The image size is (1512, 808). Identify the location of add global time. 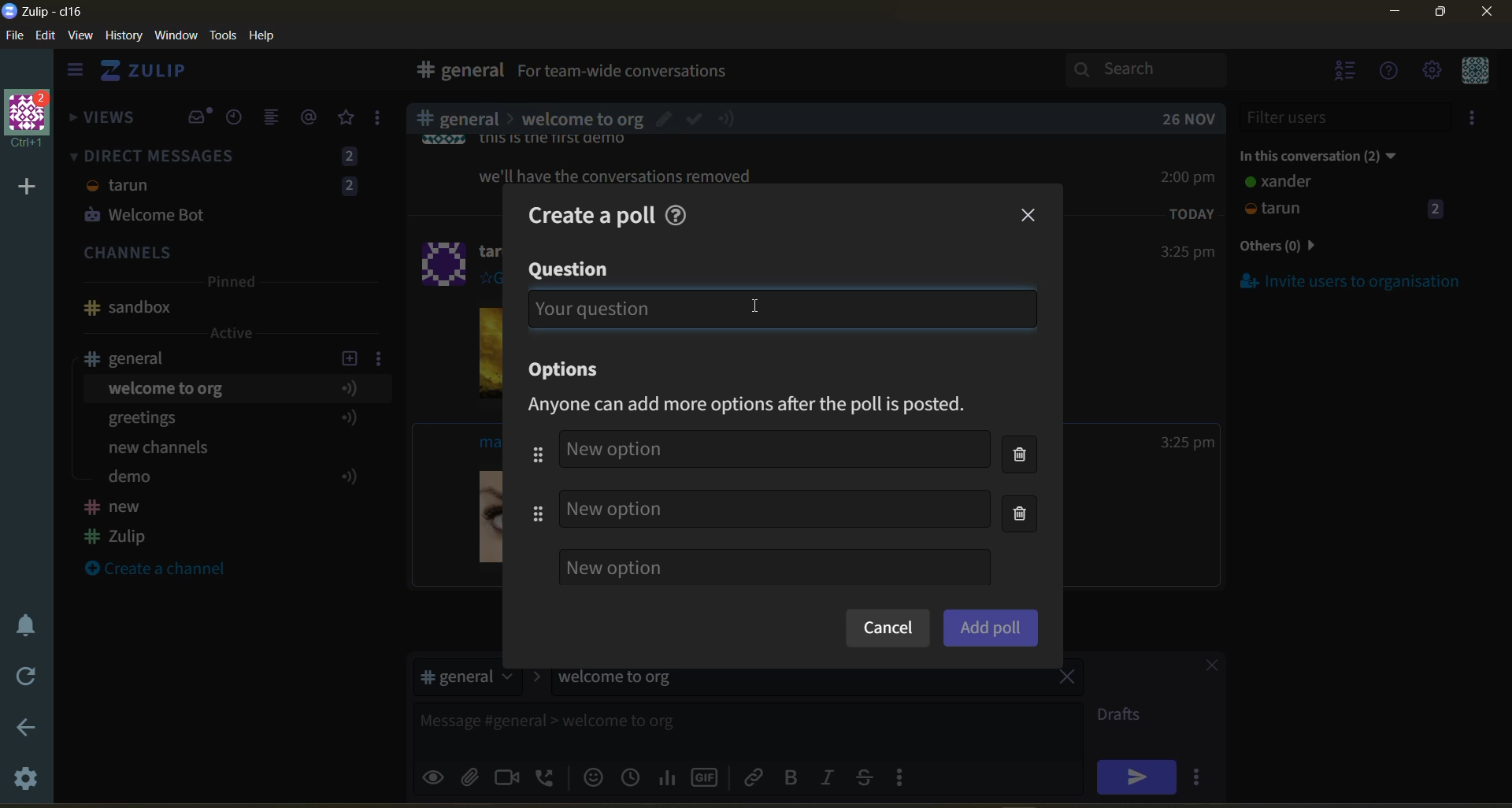
(634, 776).